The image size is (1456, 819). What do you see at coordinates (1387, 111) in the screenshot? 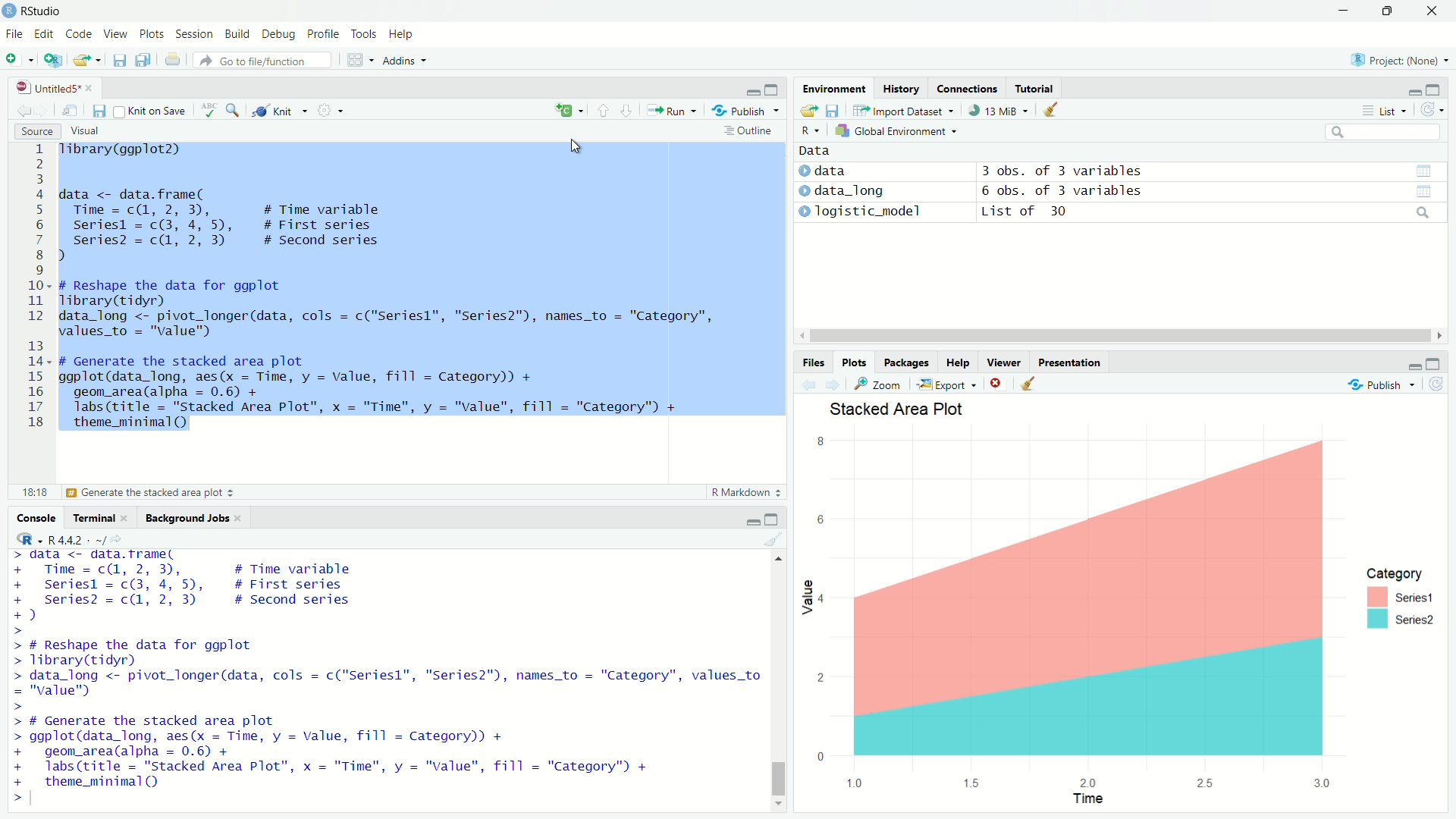
I see `List` at bounding box center [1387, 111].